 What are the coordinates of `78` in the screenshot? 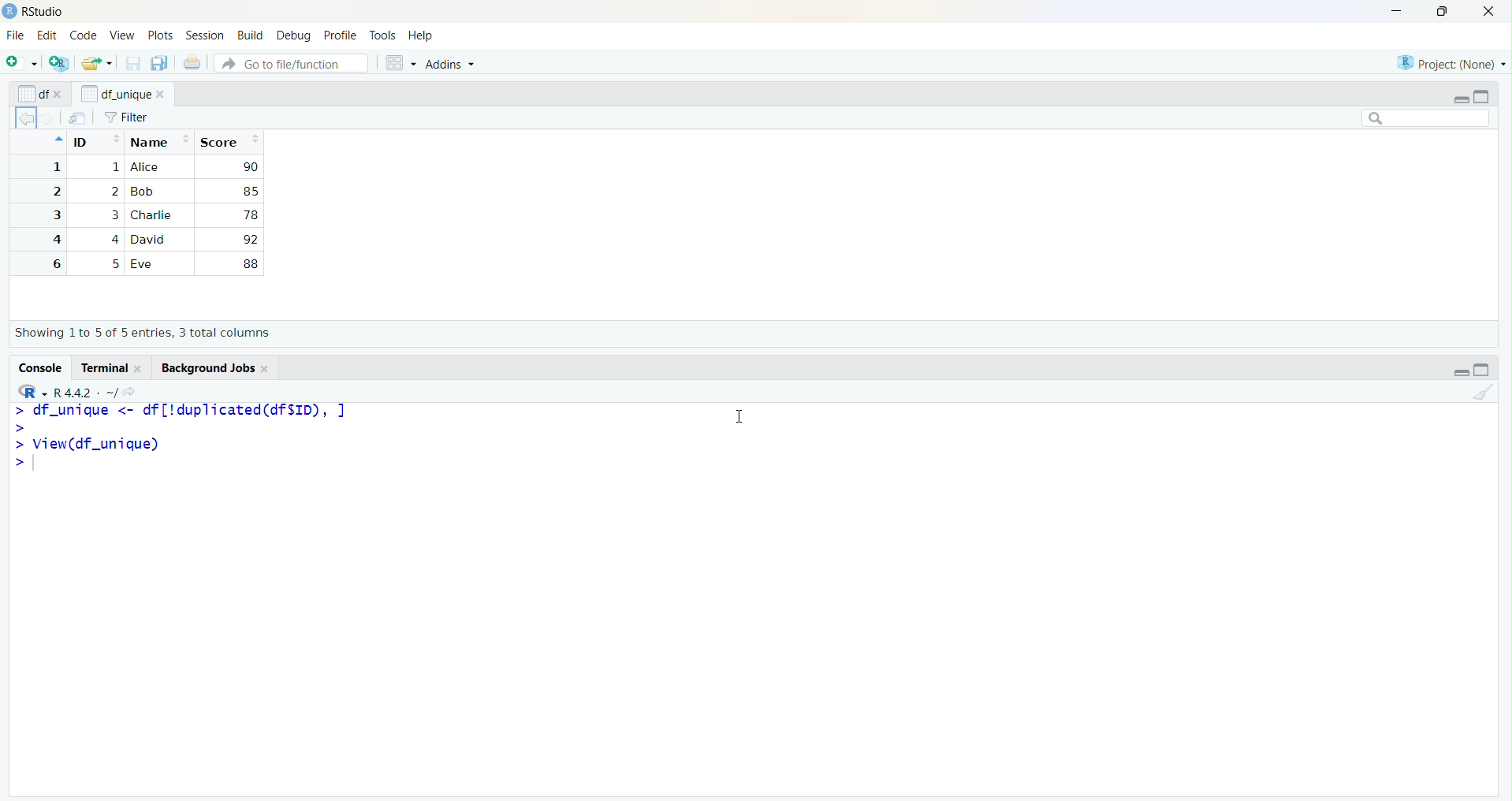 It's located at (249, 311).